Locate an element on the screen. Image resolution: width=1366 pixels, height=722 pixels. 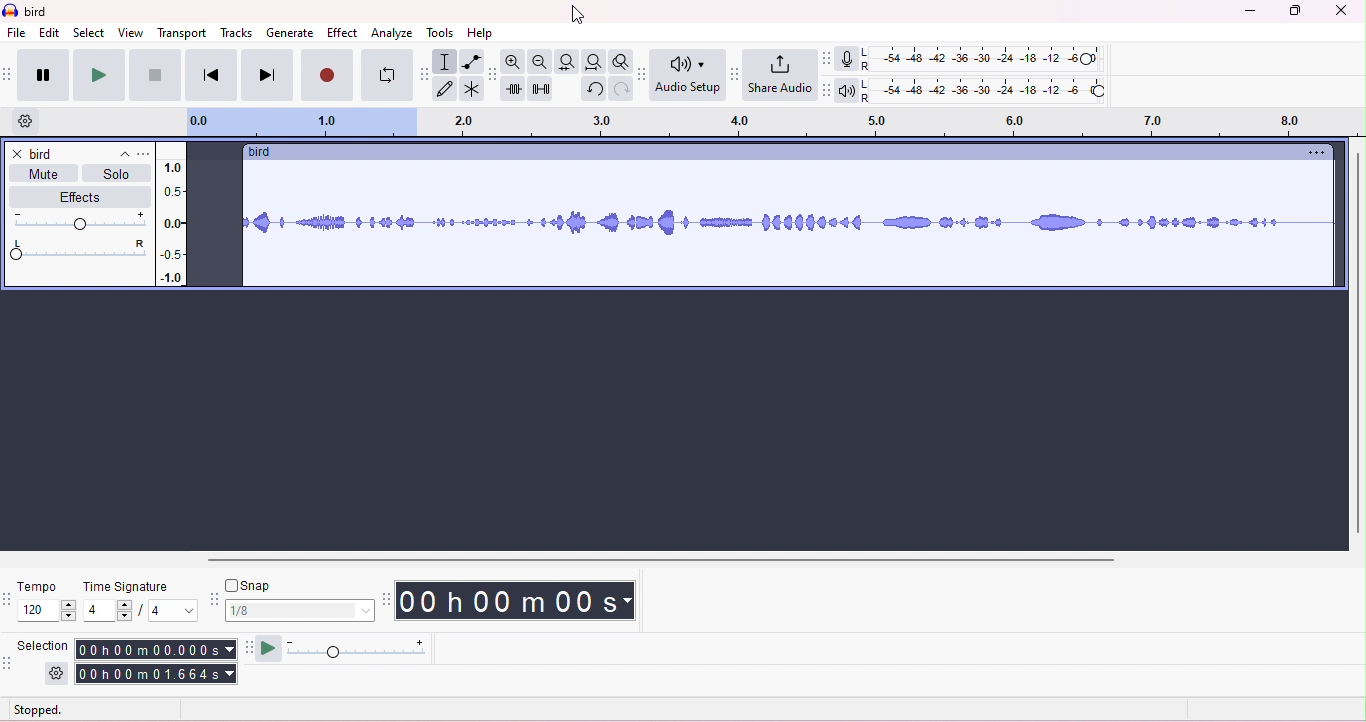
effect is located at coordinates (342, 32).